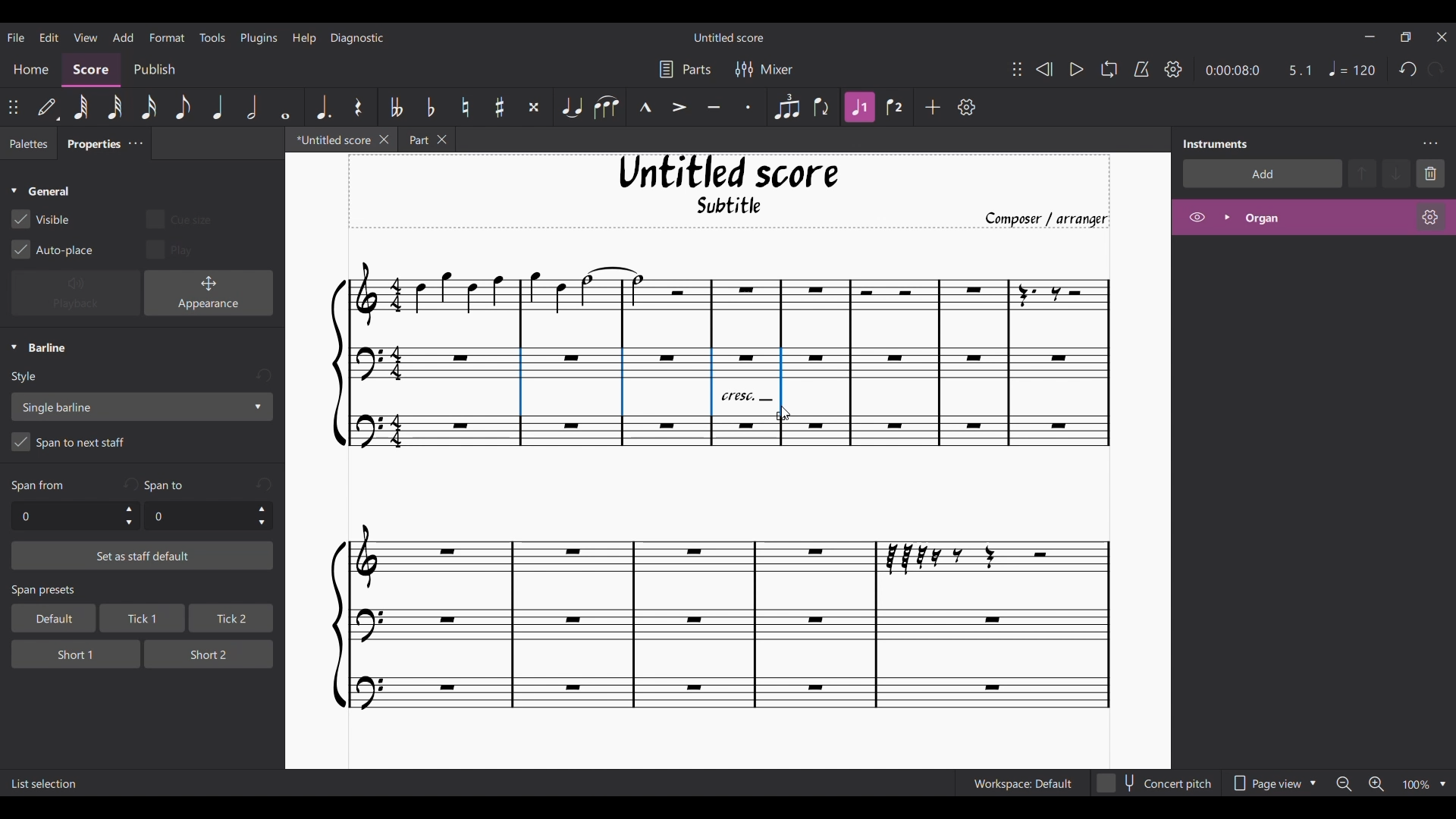 This screenshot has height=819, width=1456. Describe the element at coordinates (32, 69) in the screenshot. I see `Home section` at that location.